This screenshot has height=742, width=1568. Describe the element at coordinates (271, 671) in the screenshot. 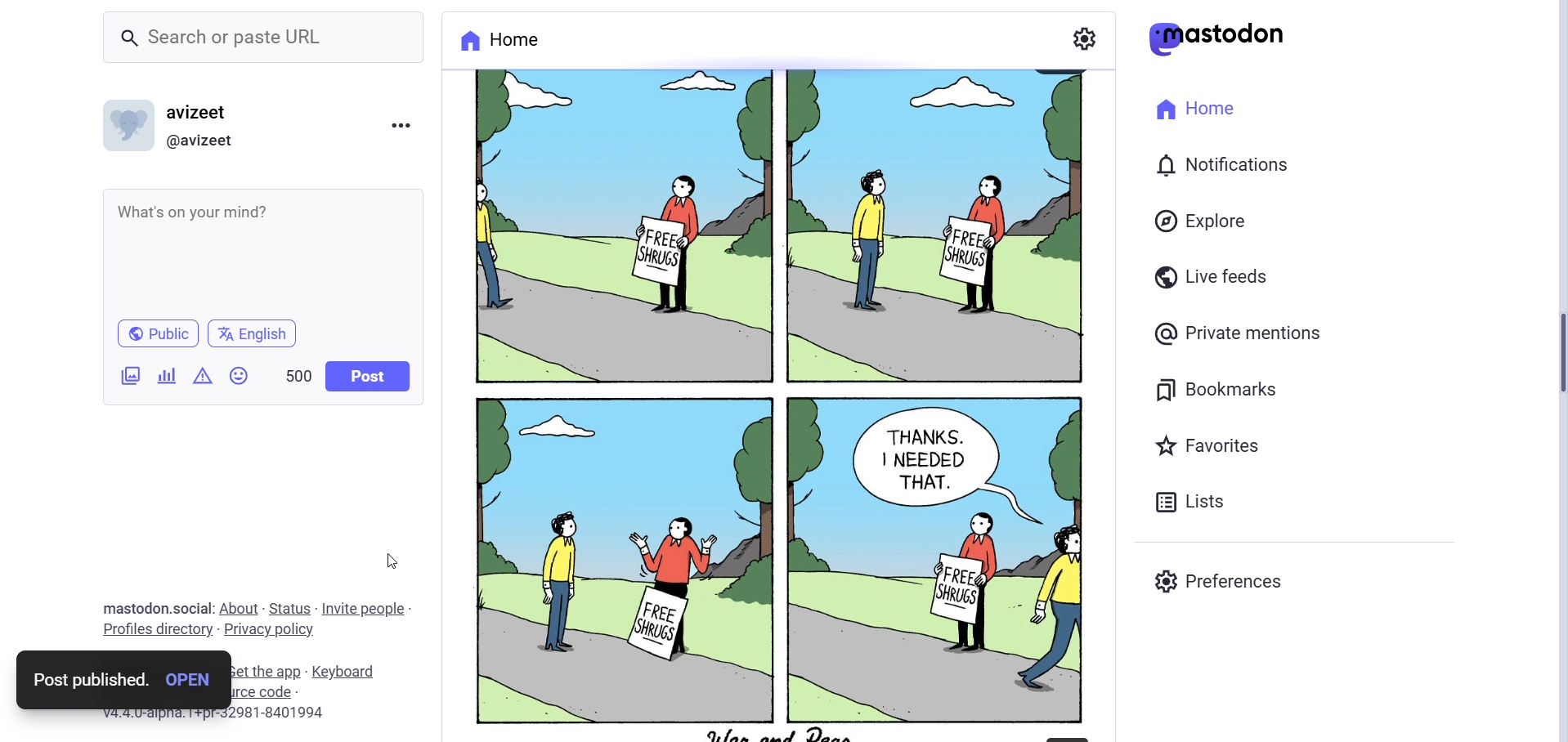

I see `Get the app` at that location.